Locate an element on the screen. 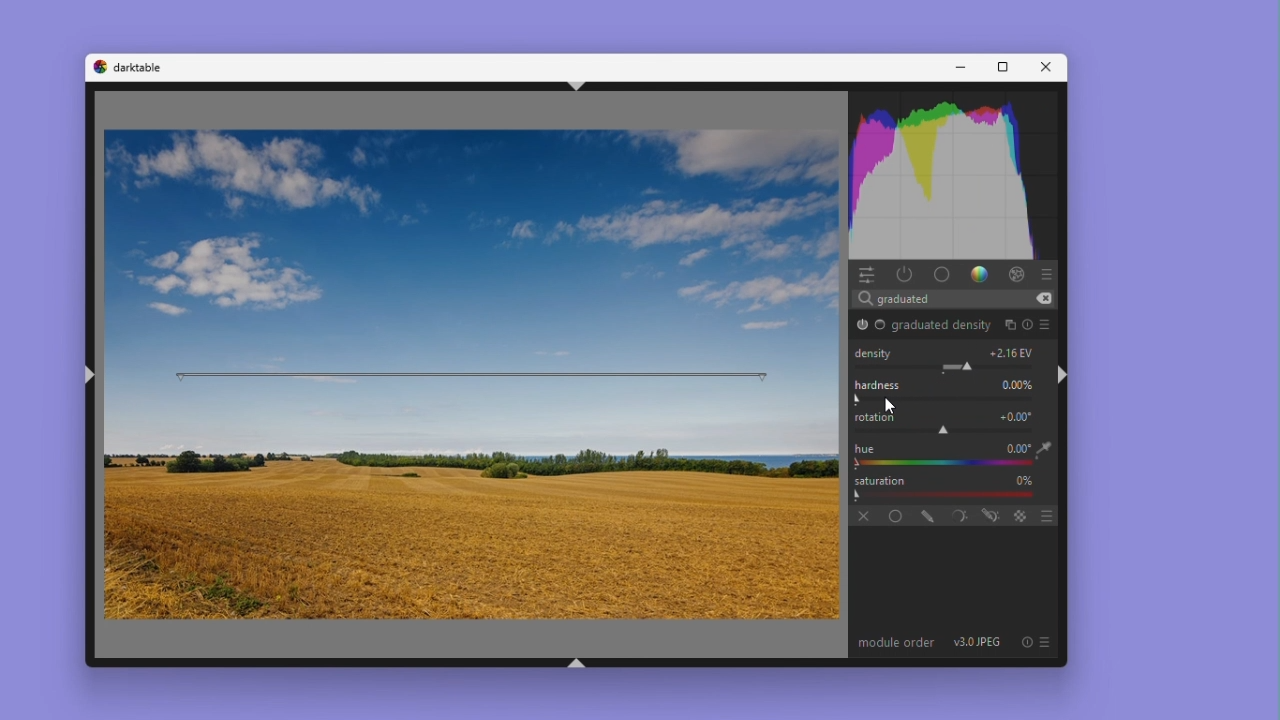 This screenshot has height=720, width=1280. 0% is located at coordinates (1023, 480).